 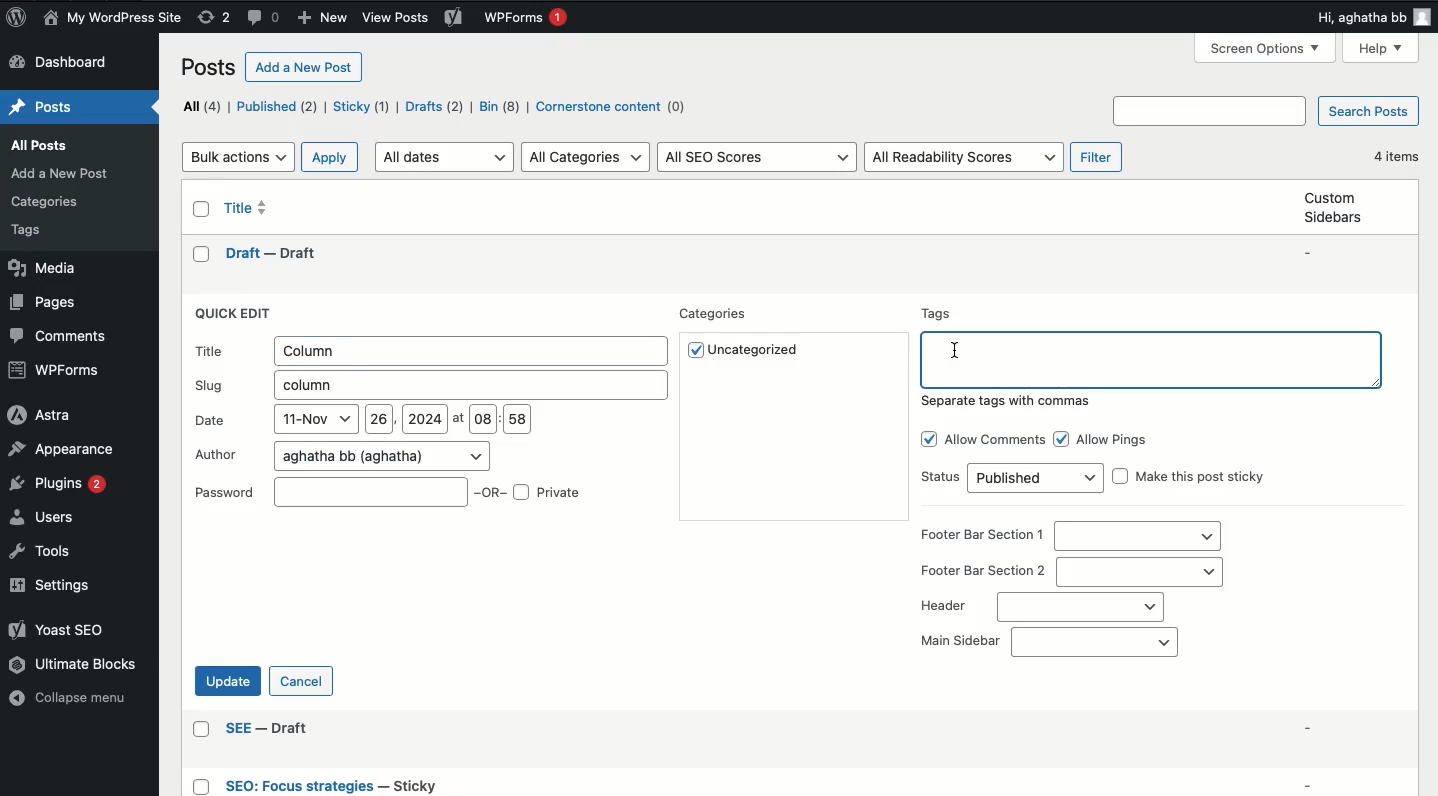 What do you see at coordinates (44, 519) in the screenshot?
I see `Users` at bounding box center [44, 519].